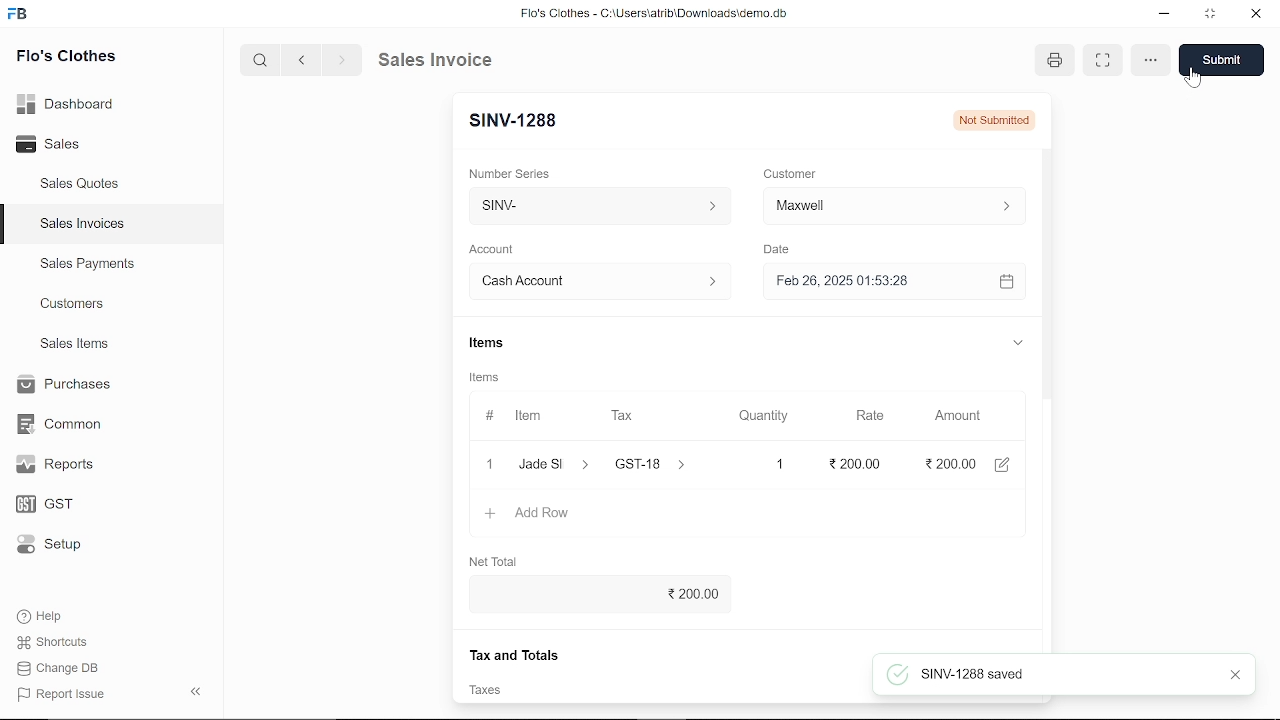 This screenshot has width=1280, height=720. What do you see at coordinates (1006, 281) in the screenshot?
I see `open calender` at bounding box center [1006, 281].